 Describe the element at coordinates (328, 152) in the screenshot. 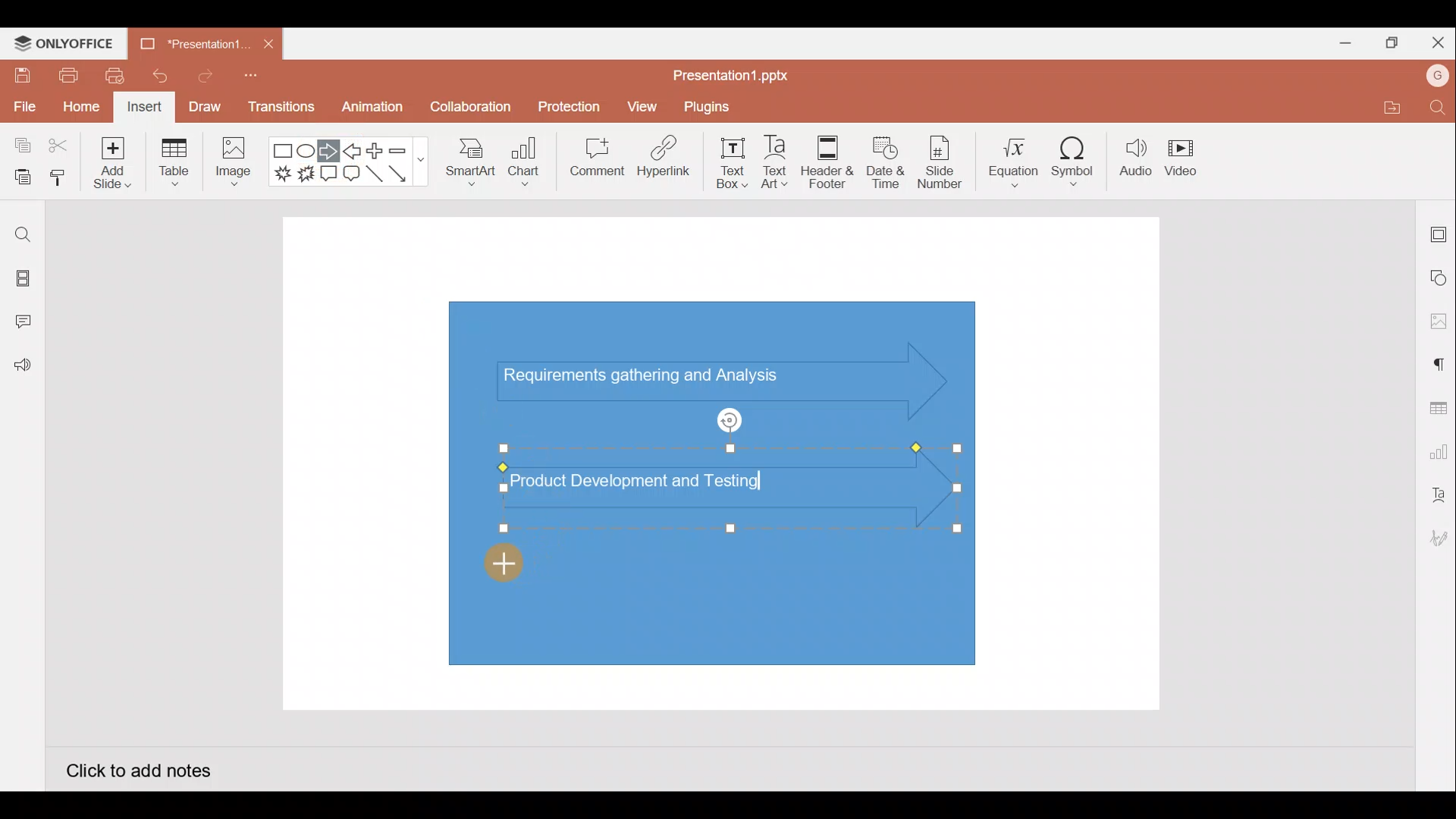

I see `Right arrow` at that location.